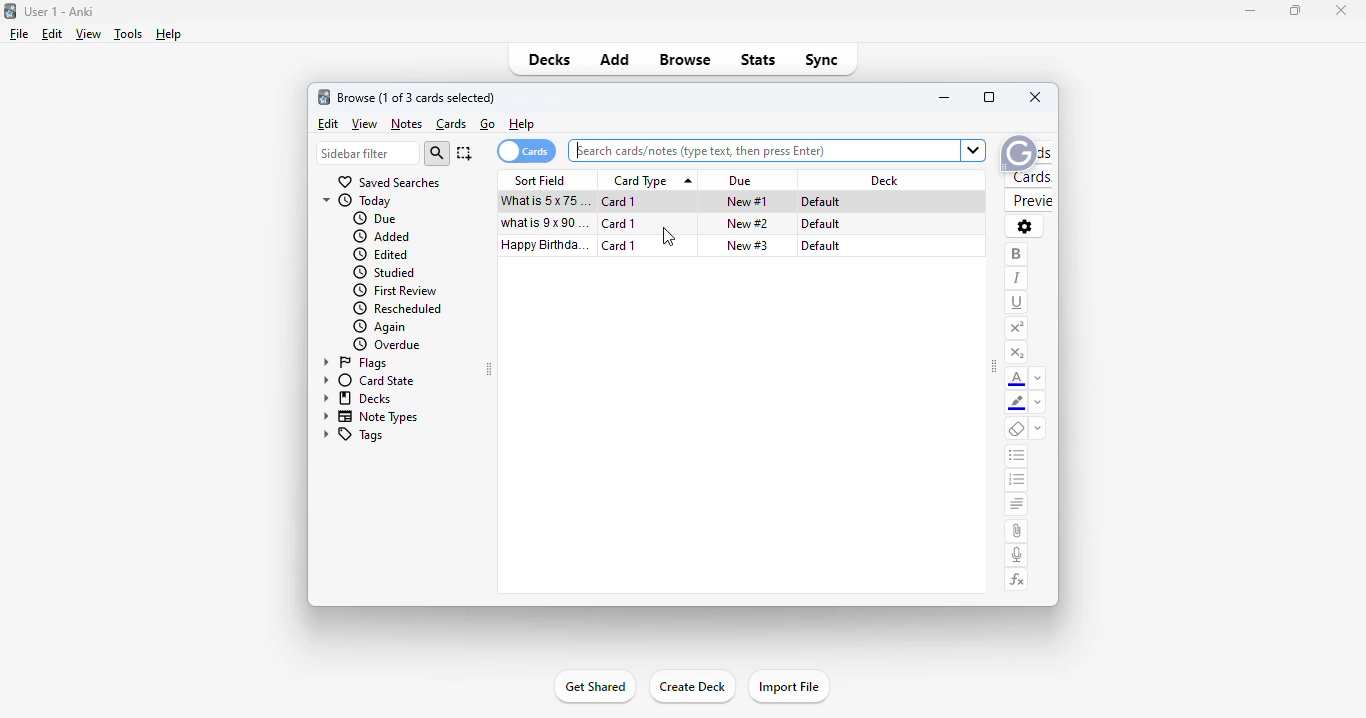 Image resolution: width=1366 pixels, height=718 pixels. What do you see at coordinates (820, 246) in the screenshot?
I see `default` at bounding box center [820, 246].